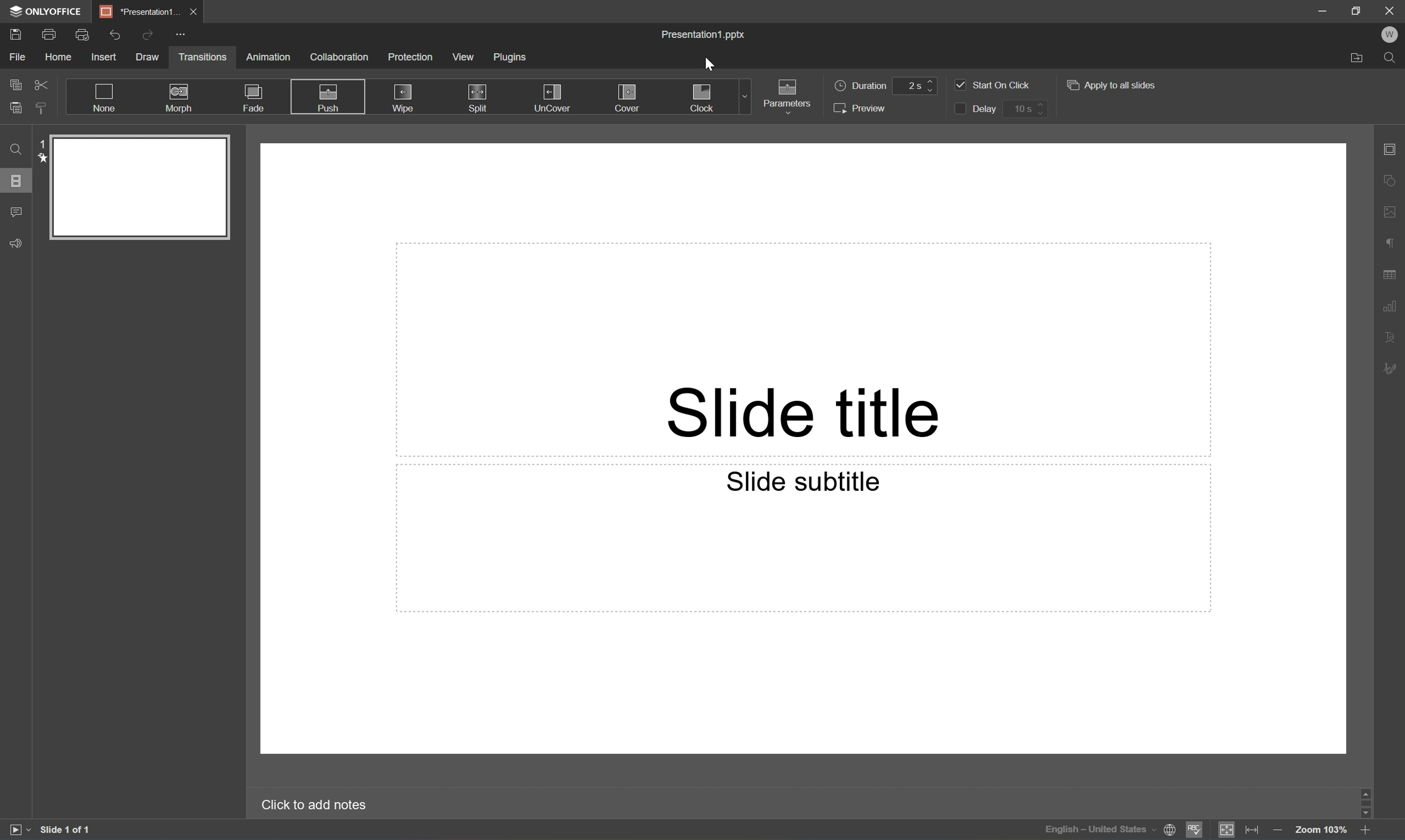  Describe the element at coordinates (140, 11) in the screenshot. I see `Presentation1...` at that location.